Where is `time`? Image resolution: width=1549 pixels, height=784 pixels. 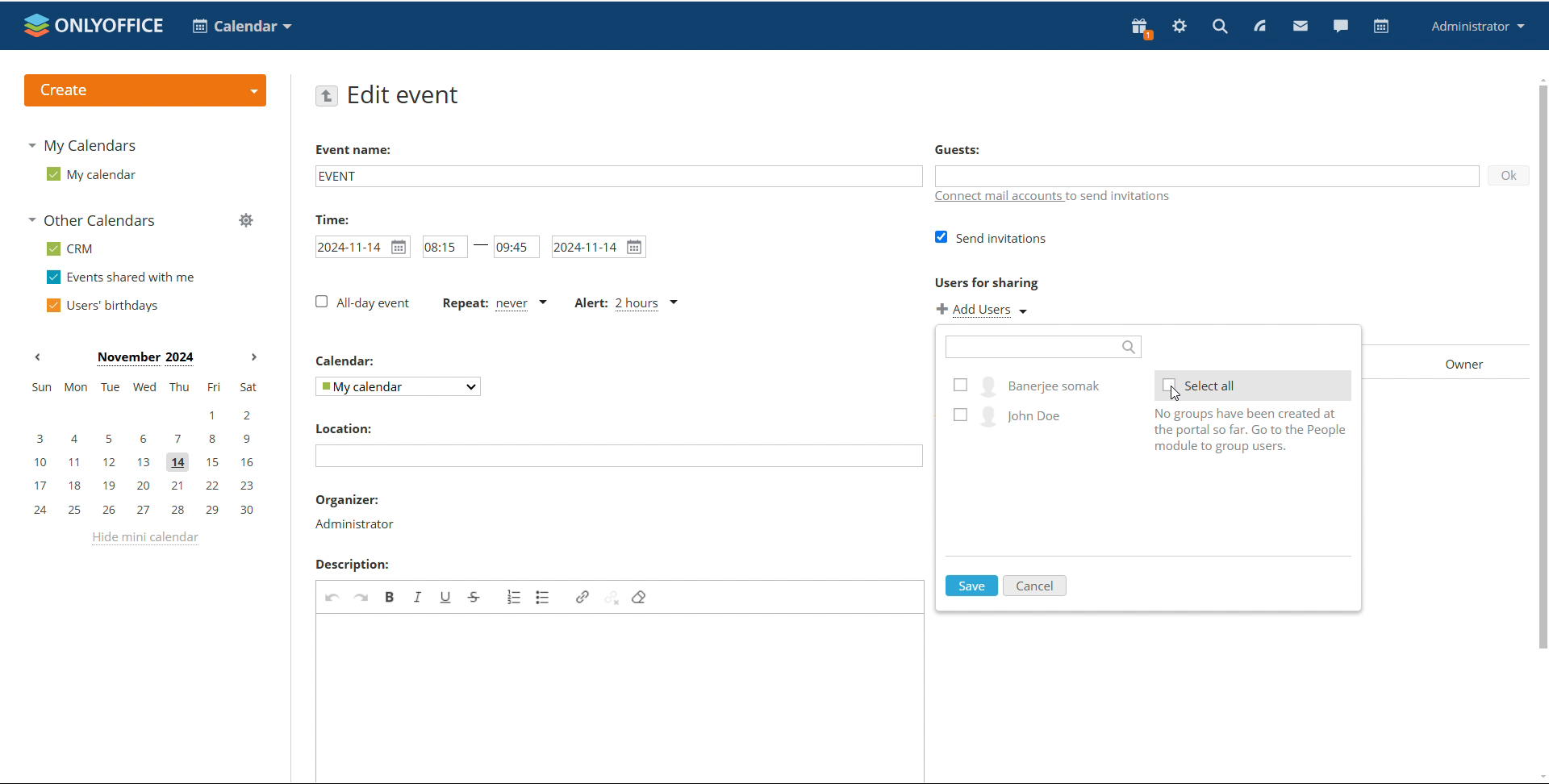
time is located at coordinates (329, 219).